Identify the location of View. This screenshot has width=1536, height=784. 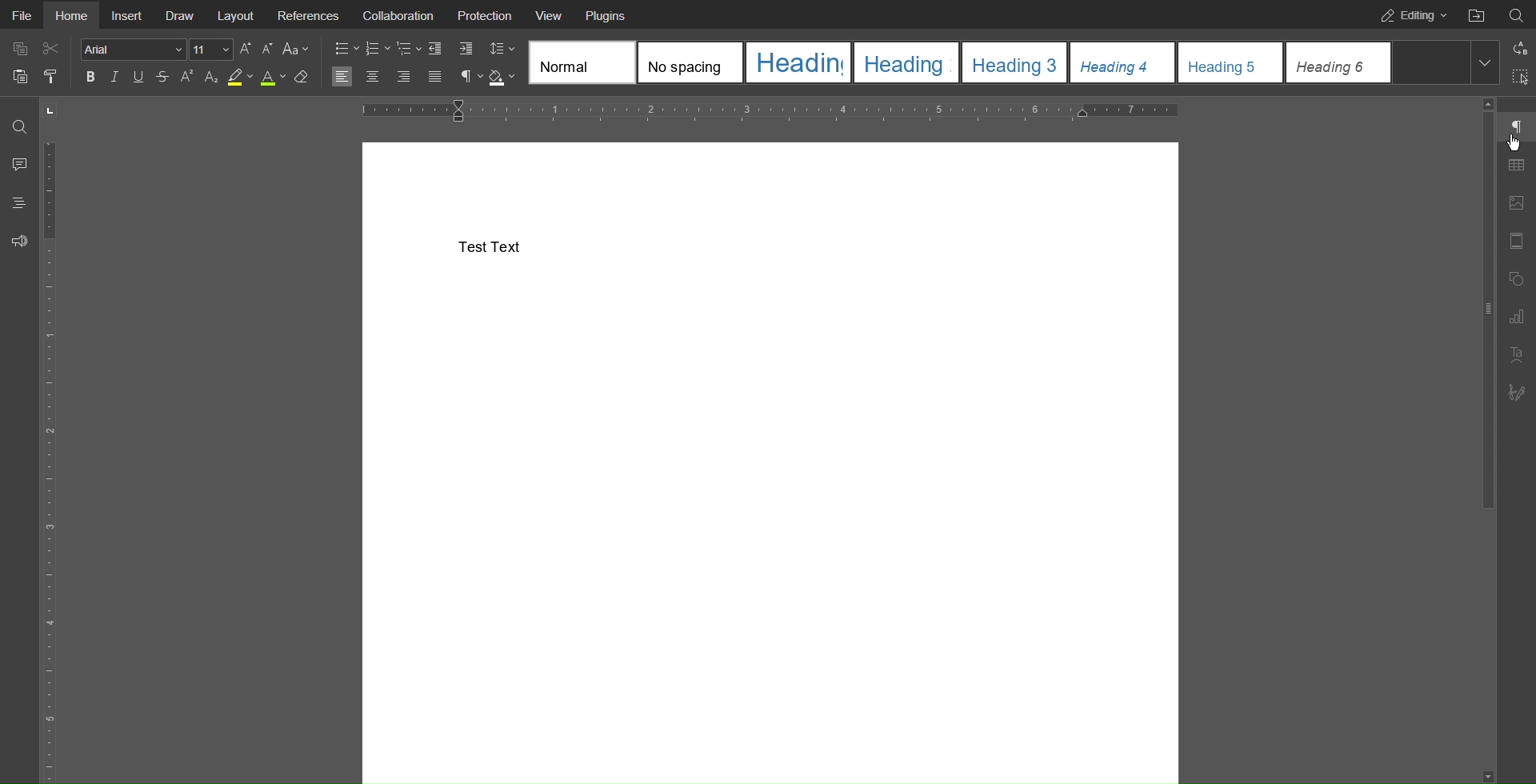
(550, 14).